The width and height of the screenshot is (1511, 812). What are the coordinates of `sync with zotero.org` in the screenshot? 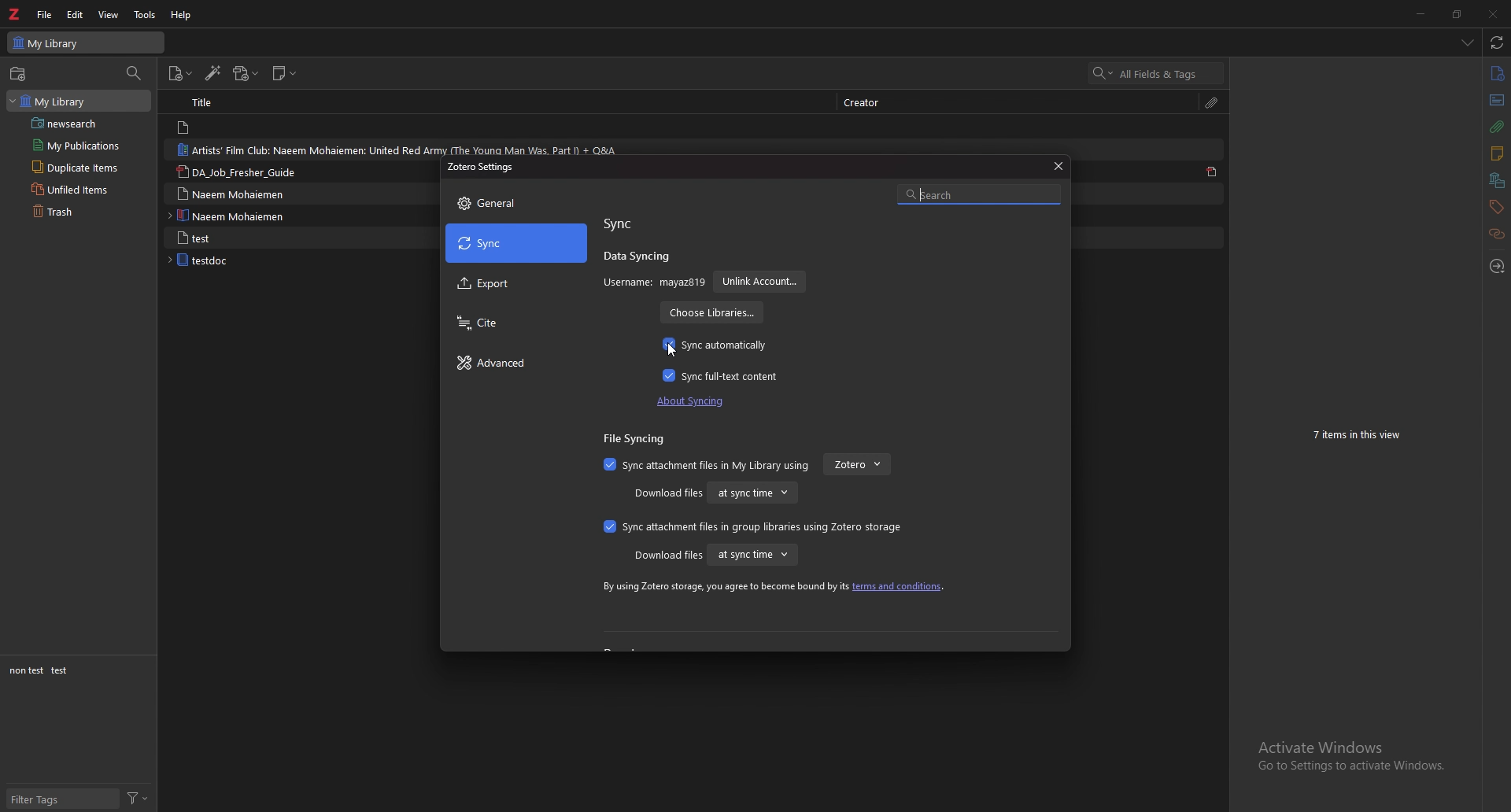 It's located at (1495, 42).